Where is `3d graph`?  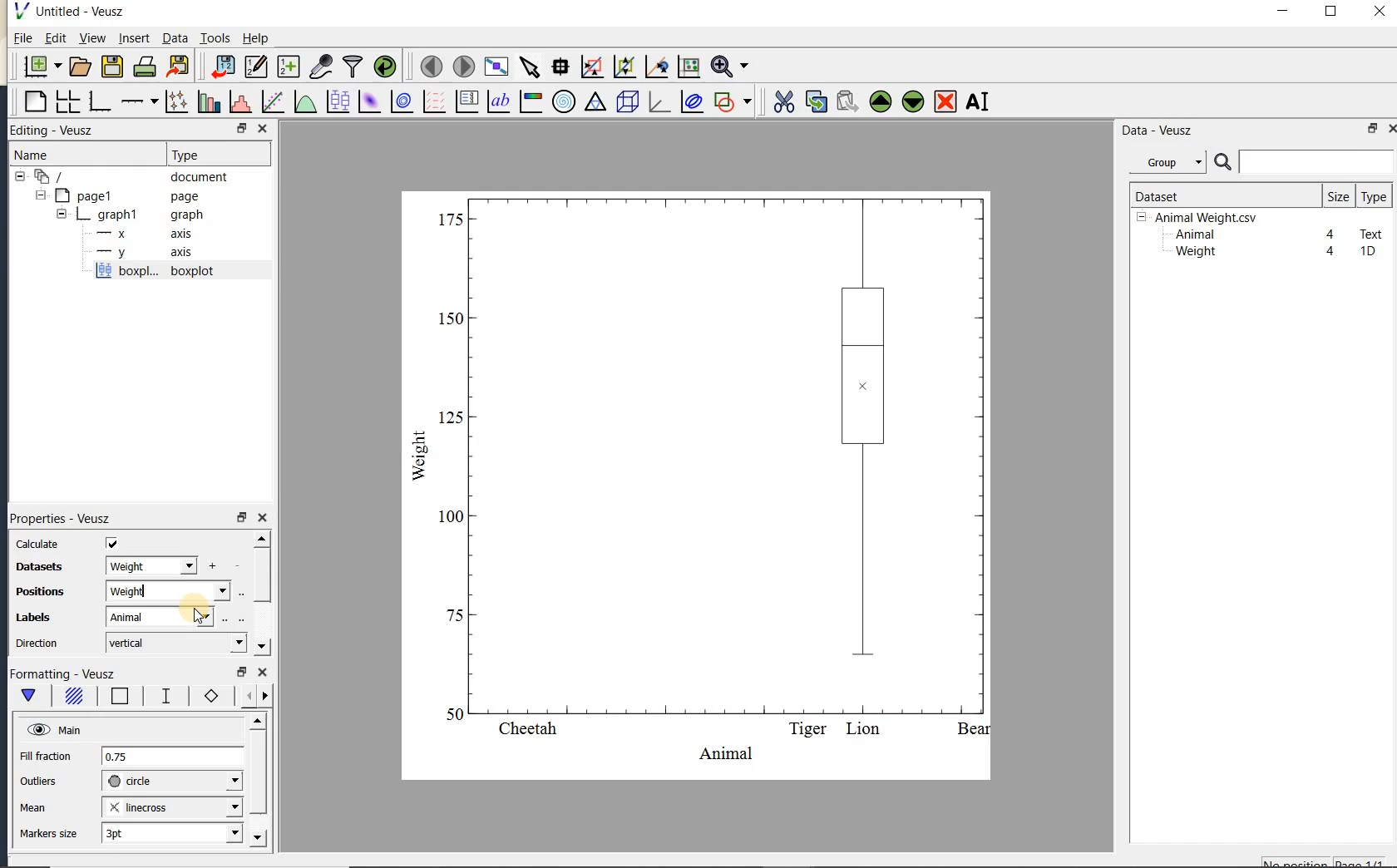 3d graph is located at coordinates (657, 101).